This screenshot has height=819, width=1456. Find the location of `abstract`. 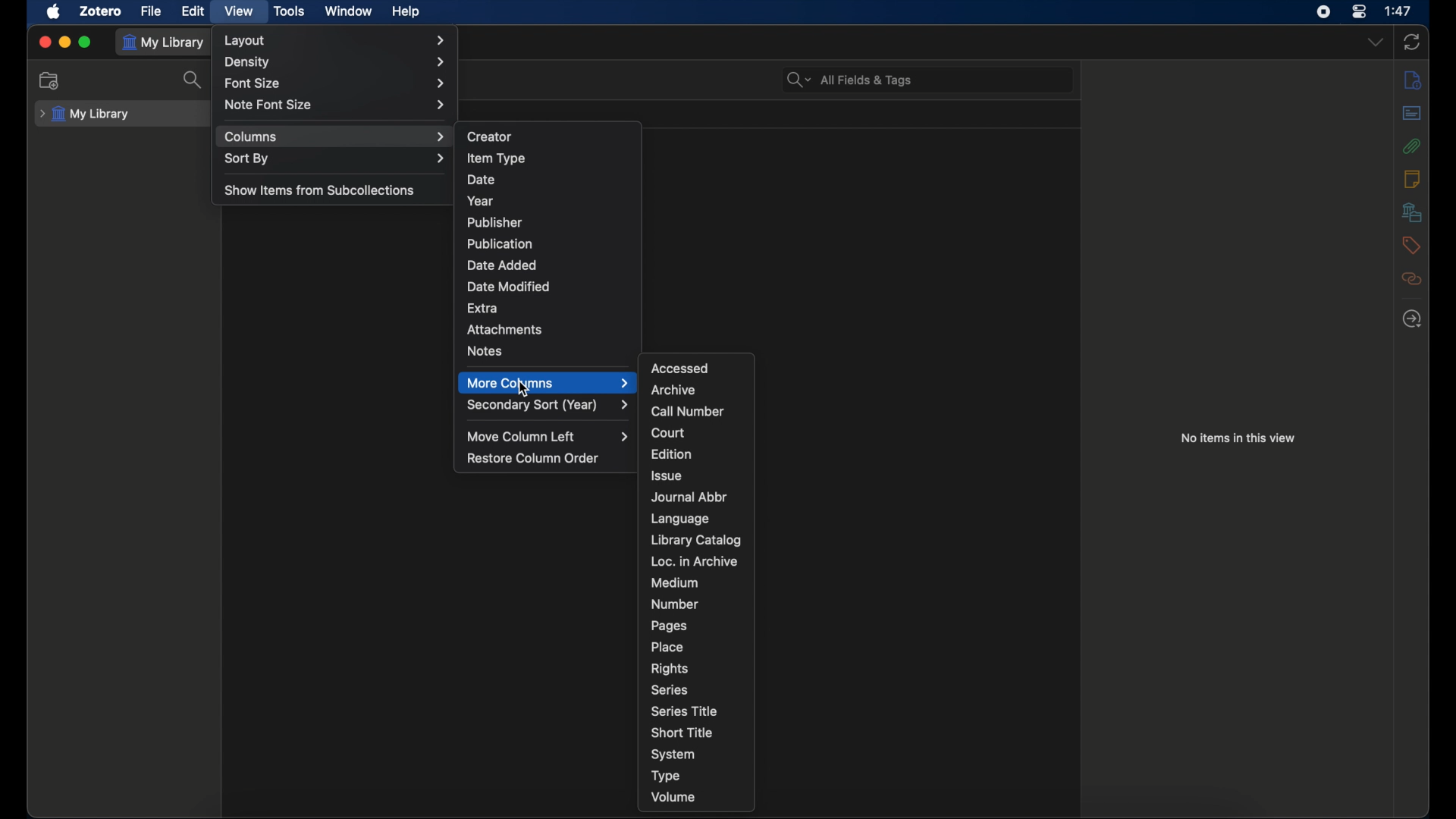

abstract is located at coordinates (1410, 113).